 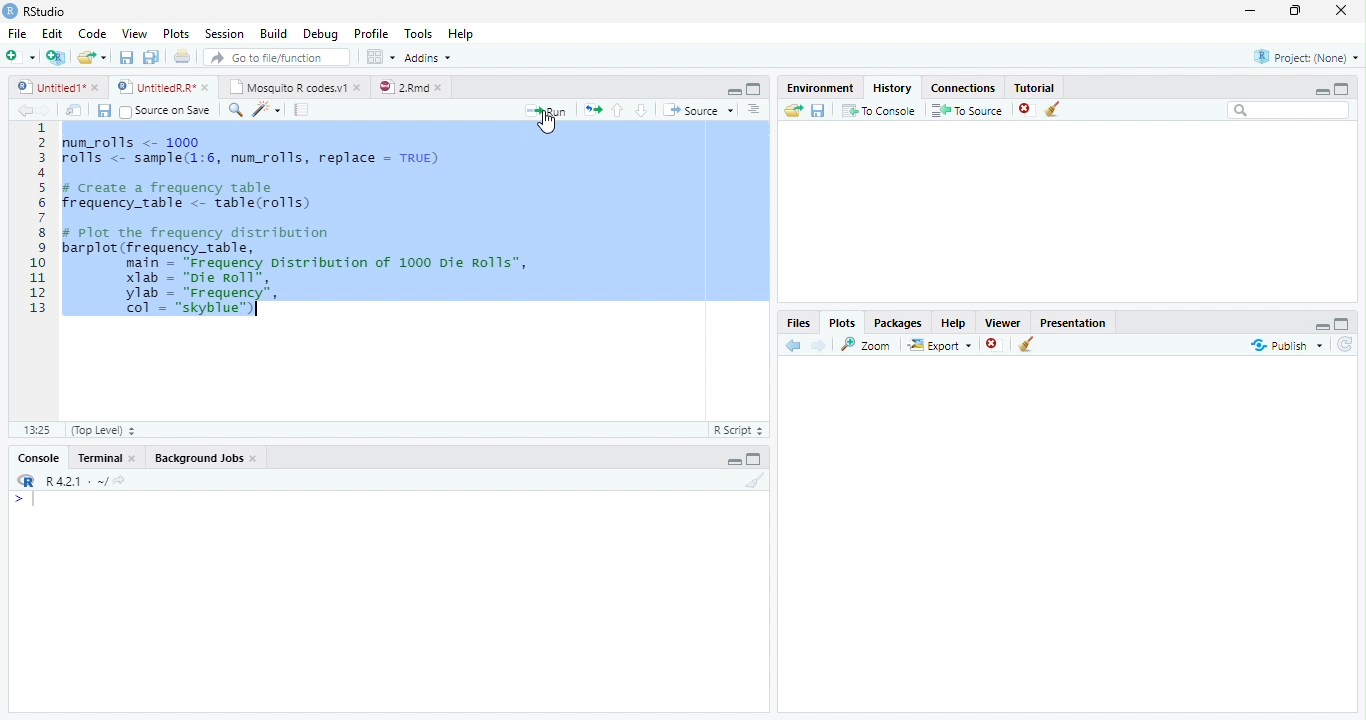 What do you see at coordinates (794, 346) in the screenshot?
I see `Previous Slot` at bounding box center [794, 346].